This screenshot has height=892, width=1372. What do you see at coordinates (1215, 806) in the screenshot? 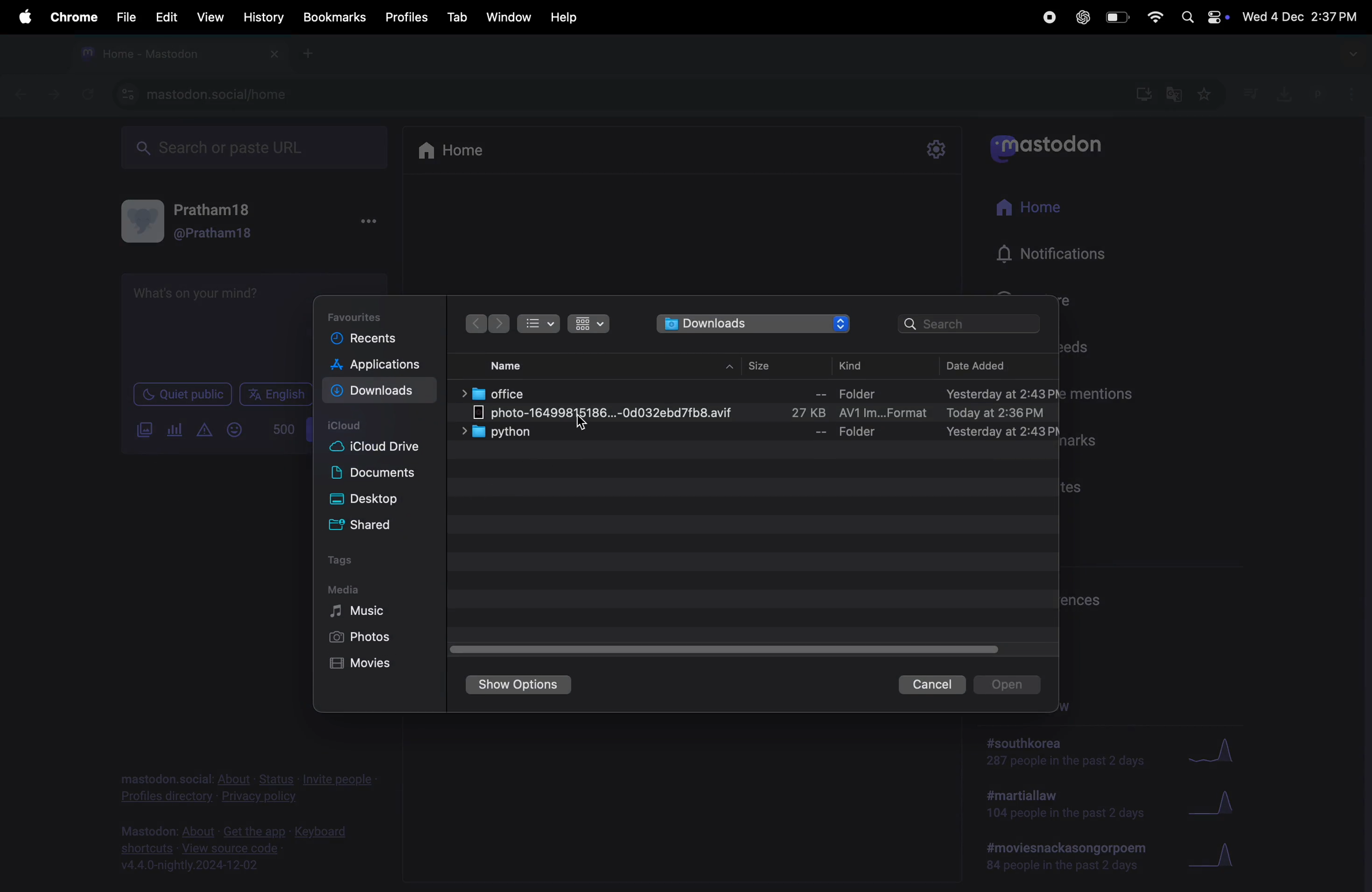
I see `Graph` at bounding box center [1215, 806].